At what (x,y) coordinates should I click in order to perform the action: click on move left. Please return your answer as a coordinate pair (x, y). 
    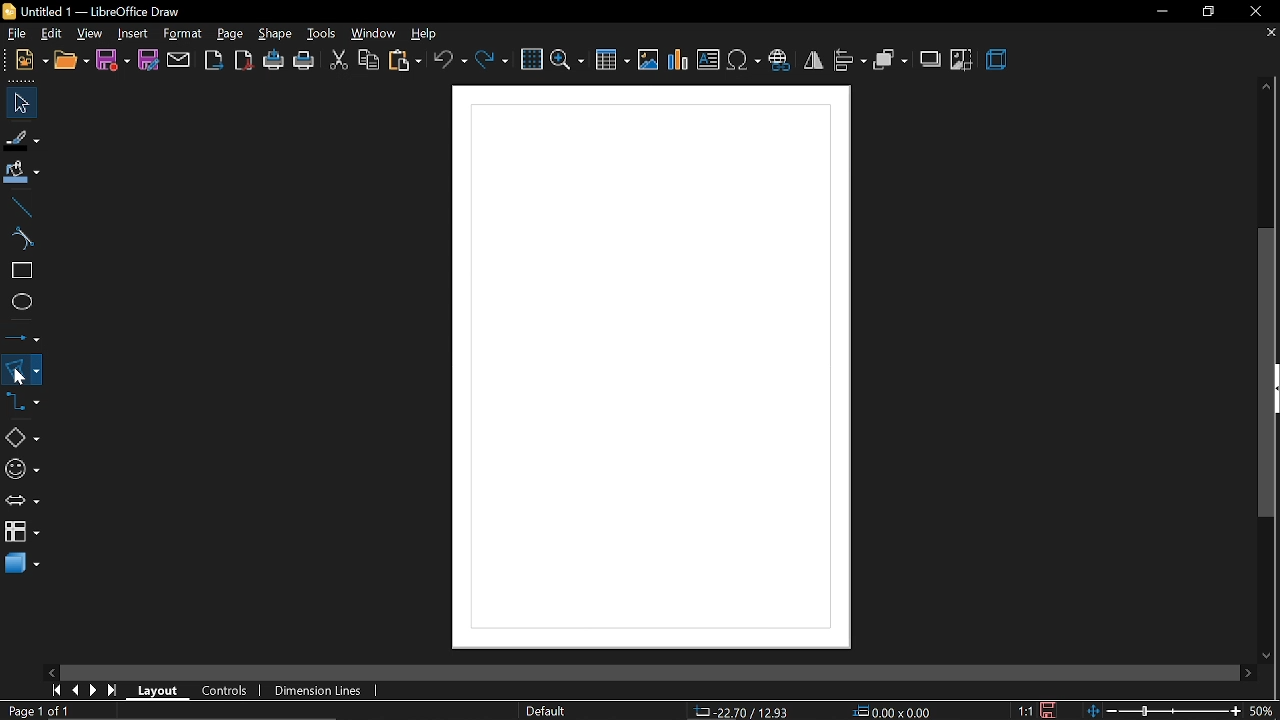
    Looking at the image, I should click on (51, 671).